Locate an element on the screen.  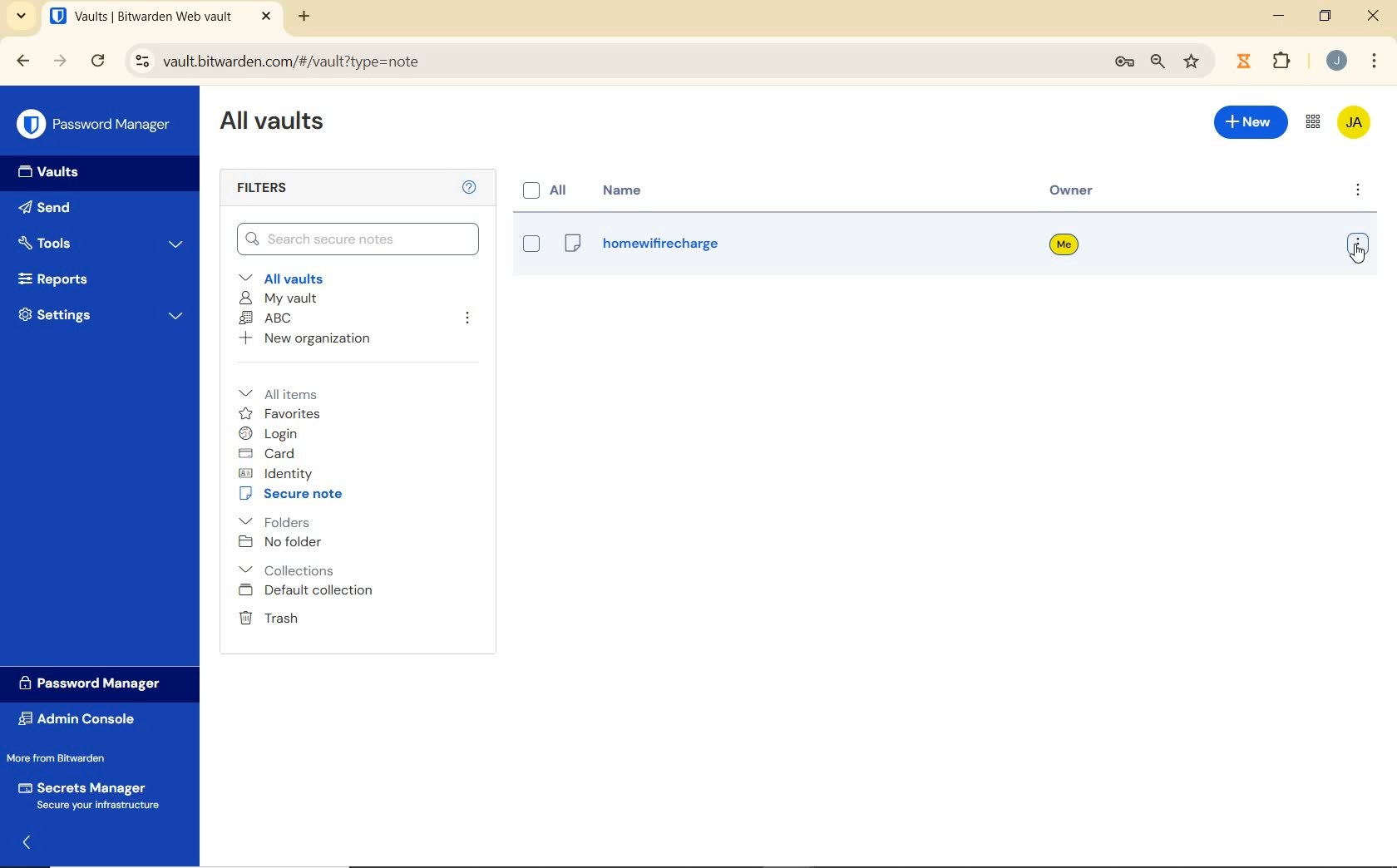
open tab is located at coordinates (160, 16).